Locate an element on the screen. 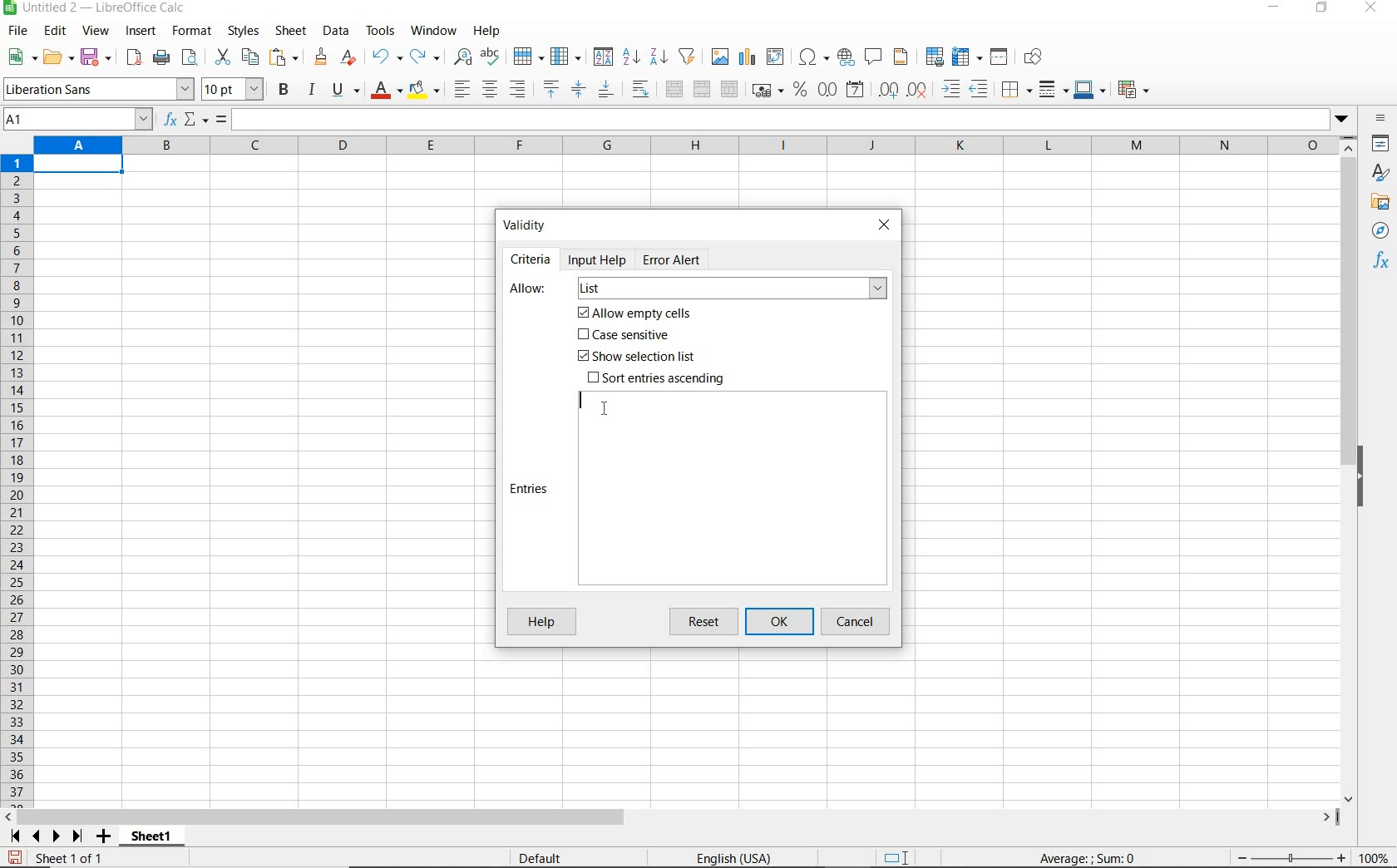 This screenshot has width=1397, height=868. Entries is located at coordinates (531, 489).